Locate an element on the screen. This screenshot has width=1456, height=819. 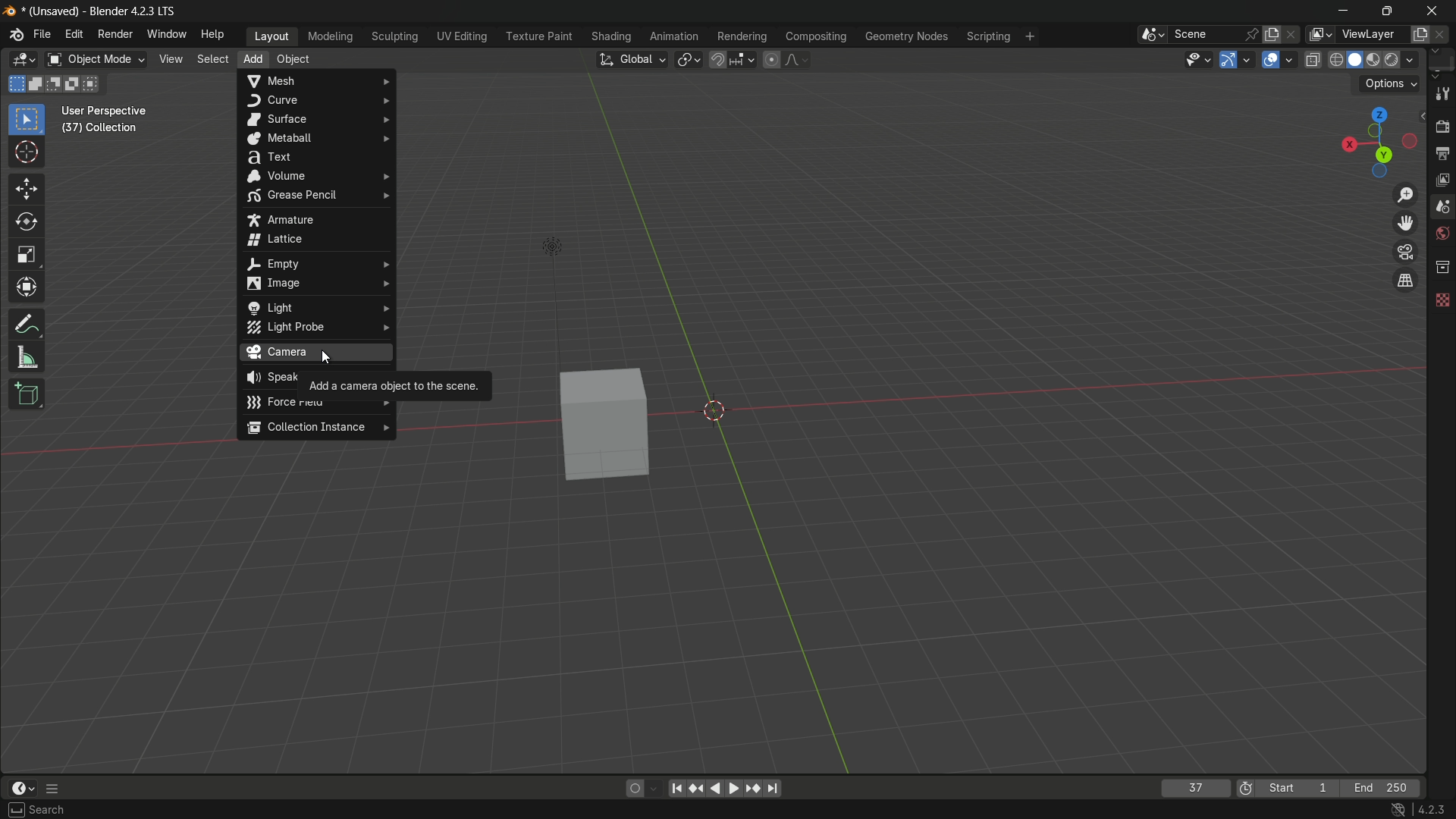
user perspective (37) | collection  is located at coordinates (112, 119).